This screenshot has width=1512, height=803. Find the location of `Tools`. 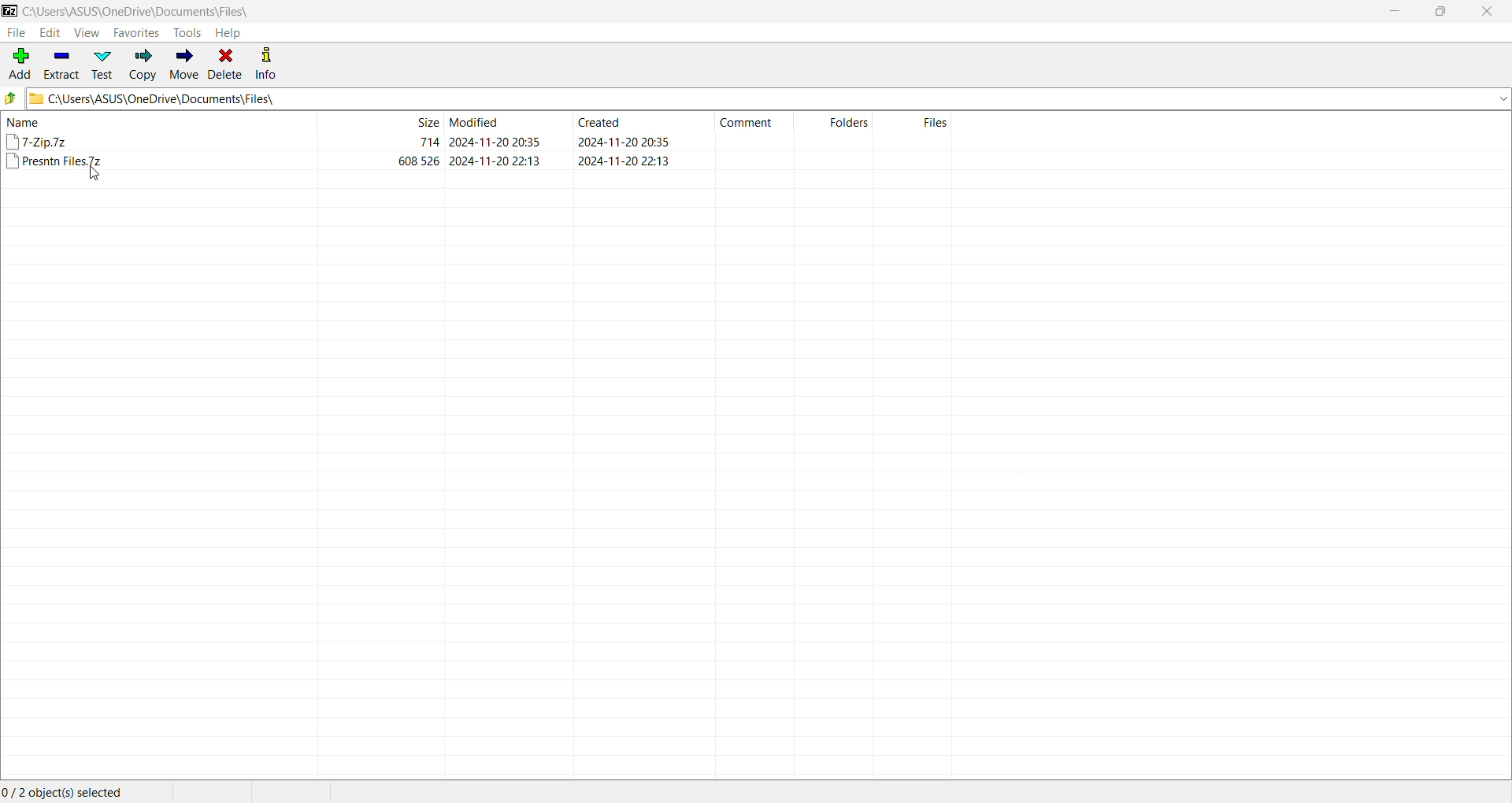

Tools is located at coordinates (187, 33).